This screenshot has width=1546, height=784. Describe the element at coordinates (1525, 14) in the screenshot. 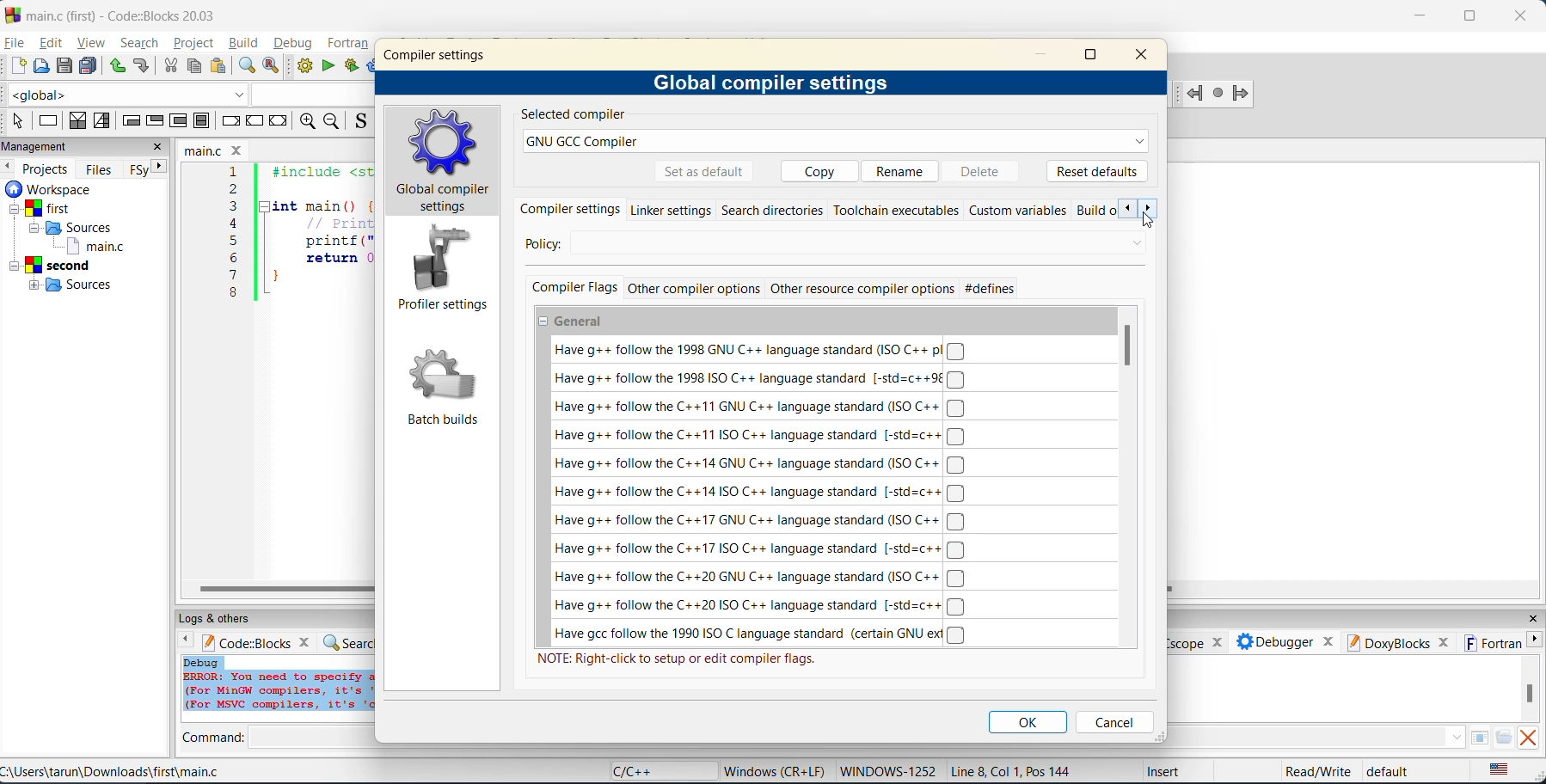

I see `close` at that location.